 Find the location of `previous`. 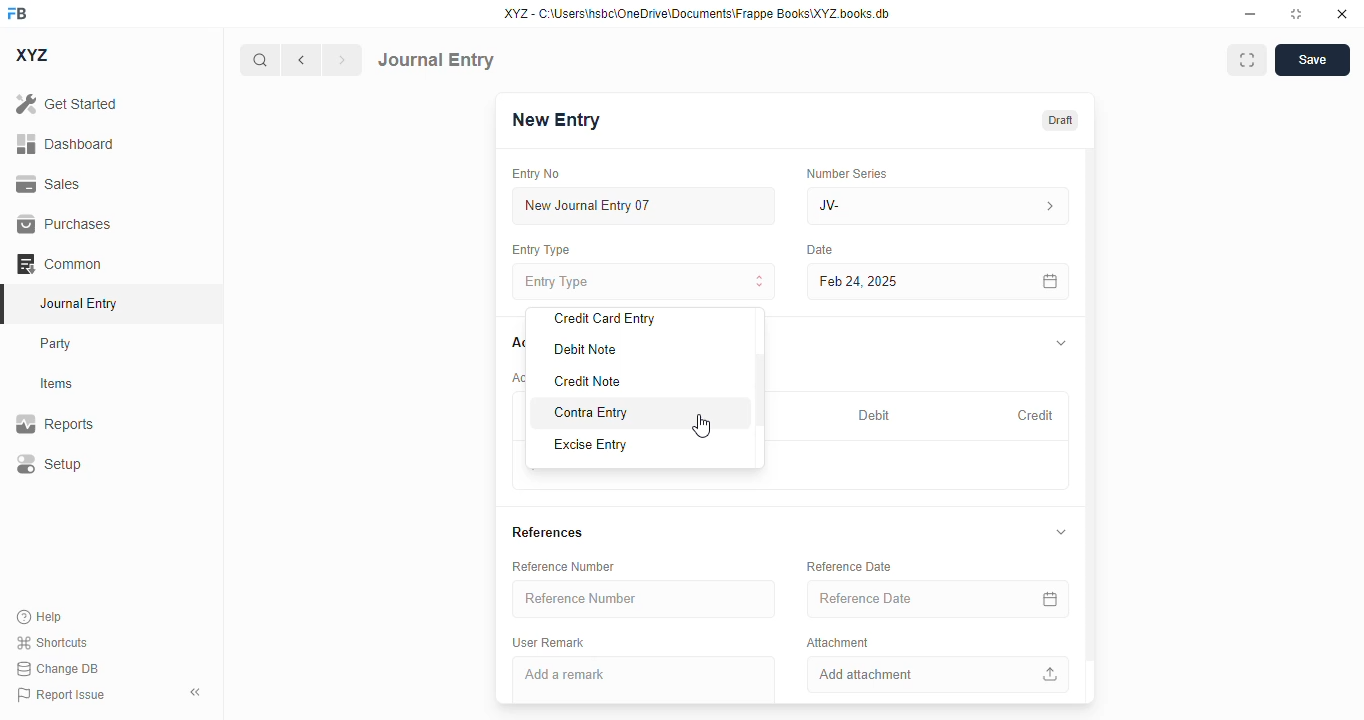

previous is located at coordinates (301, 60).